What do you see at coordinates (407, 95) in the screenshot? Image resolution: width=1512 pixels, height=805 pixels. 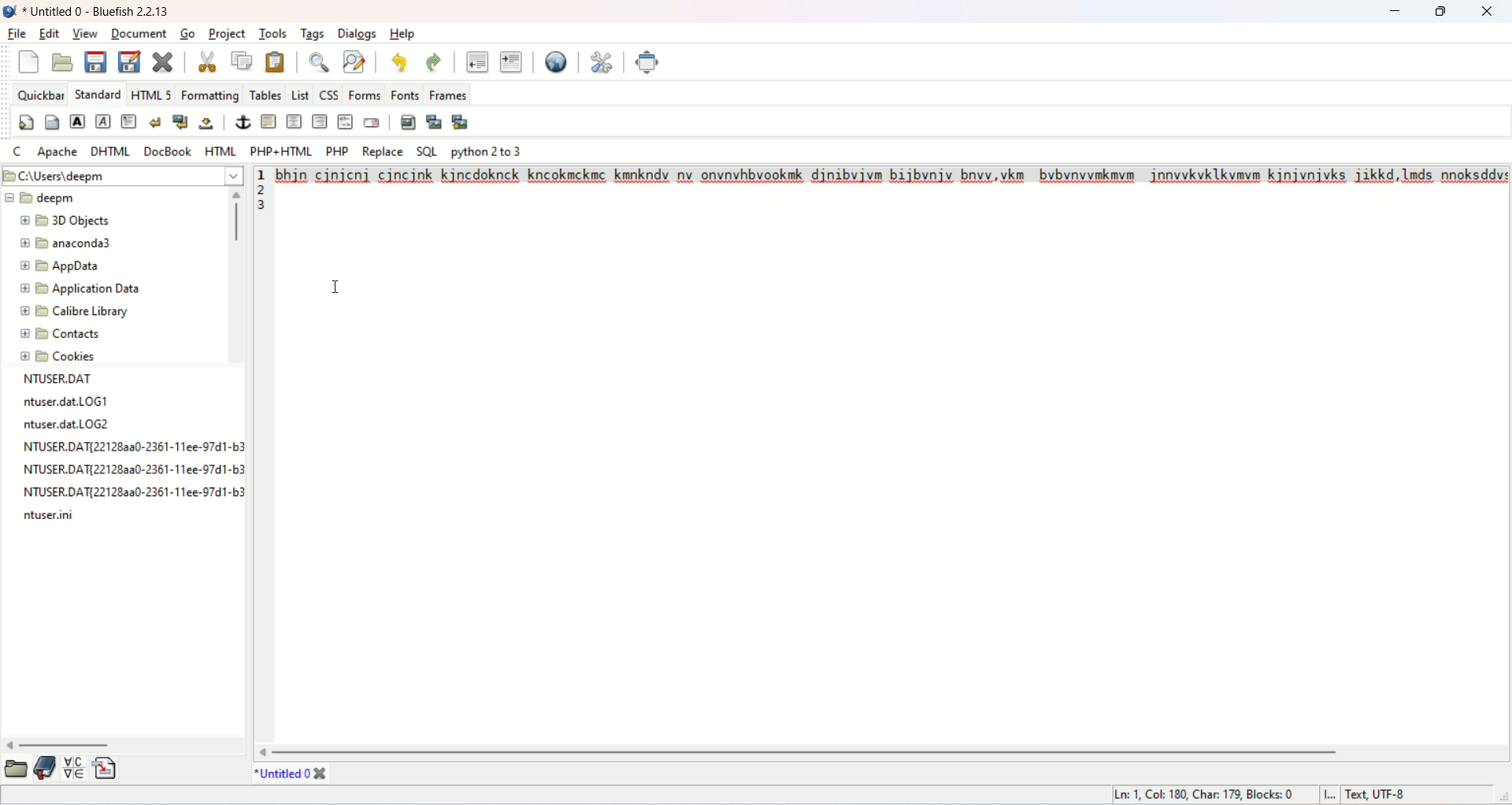 I see `fonts` at bounding box center [407, 95].